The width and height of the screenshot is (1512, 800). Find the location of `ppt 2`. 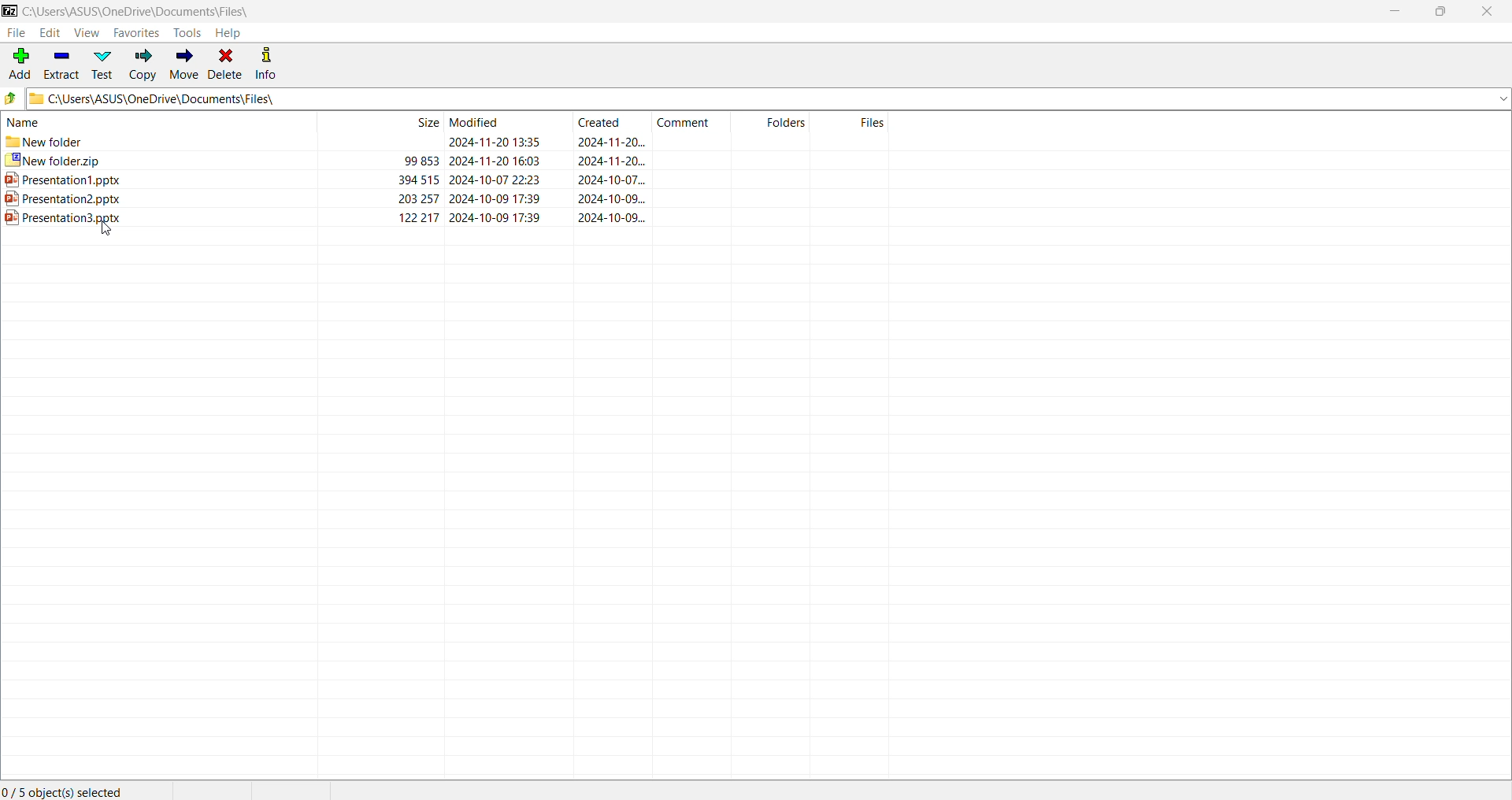

ppt 2 is located at coordinates (447, 199).